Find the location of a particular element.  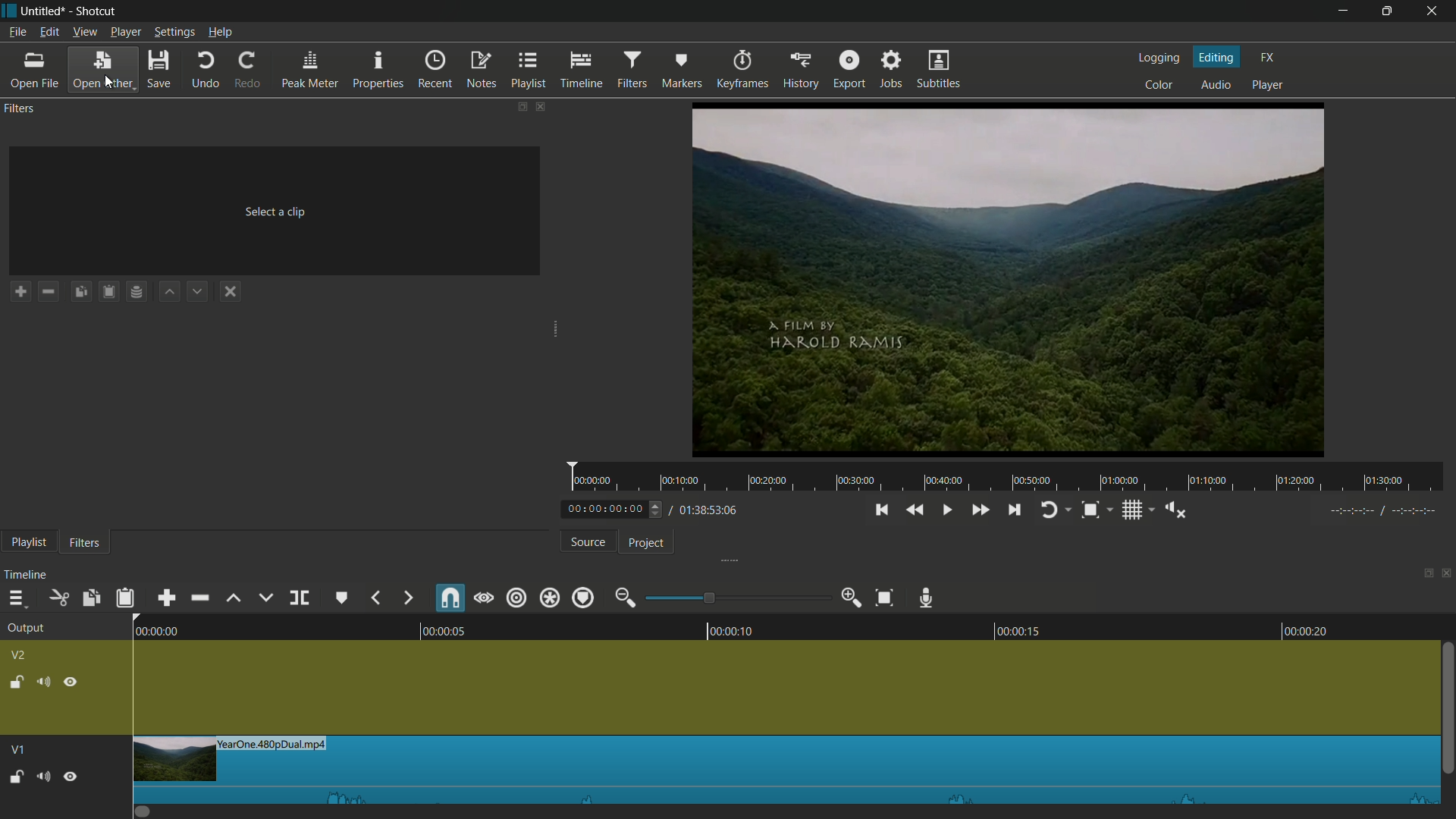

app icon is located at coordinates (9, 10).